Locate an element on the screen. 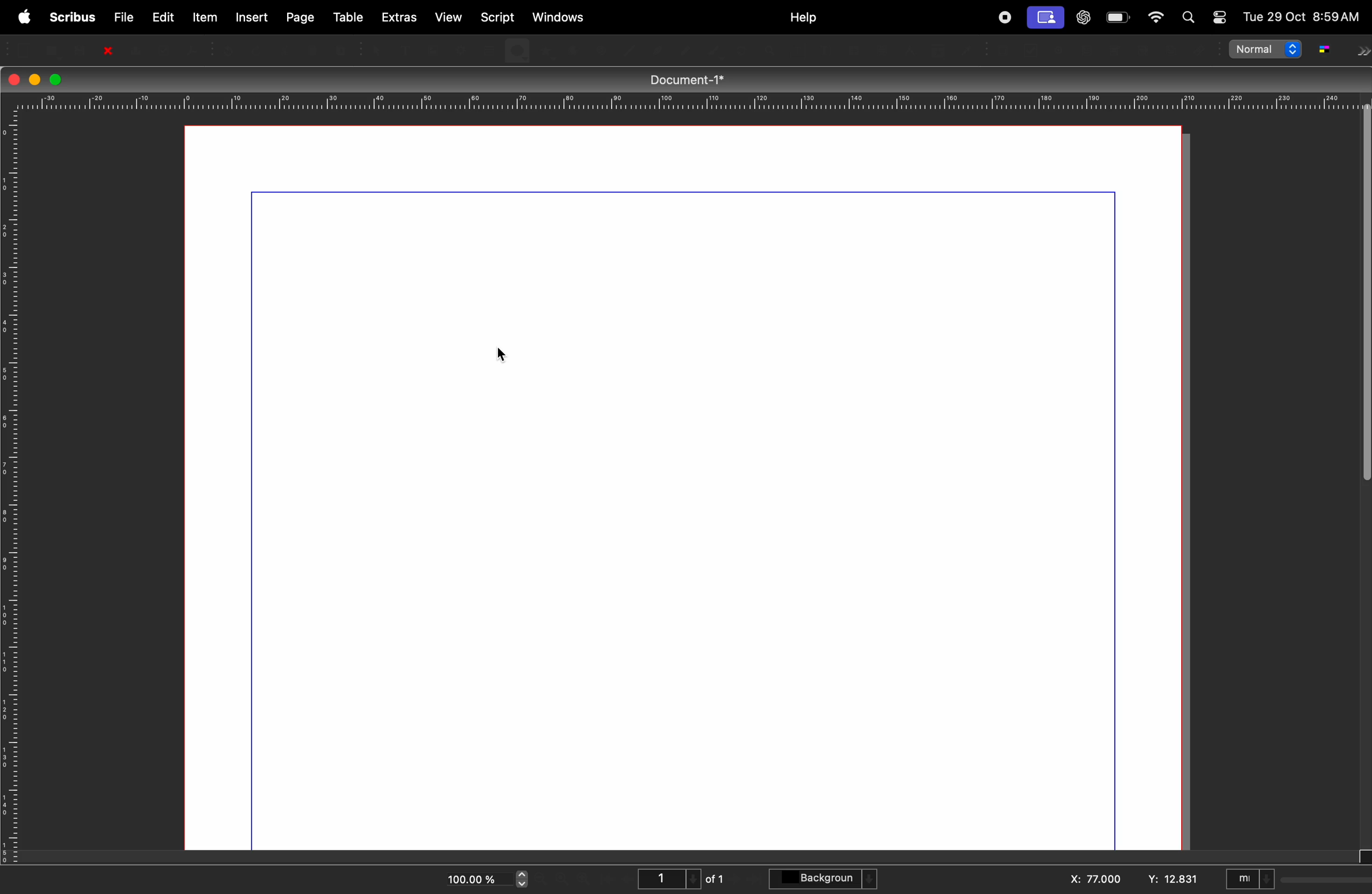 The height and width of the screenshot is (894, 1372). table is located at coordinates (346, 14).